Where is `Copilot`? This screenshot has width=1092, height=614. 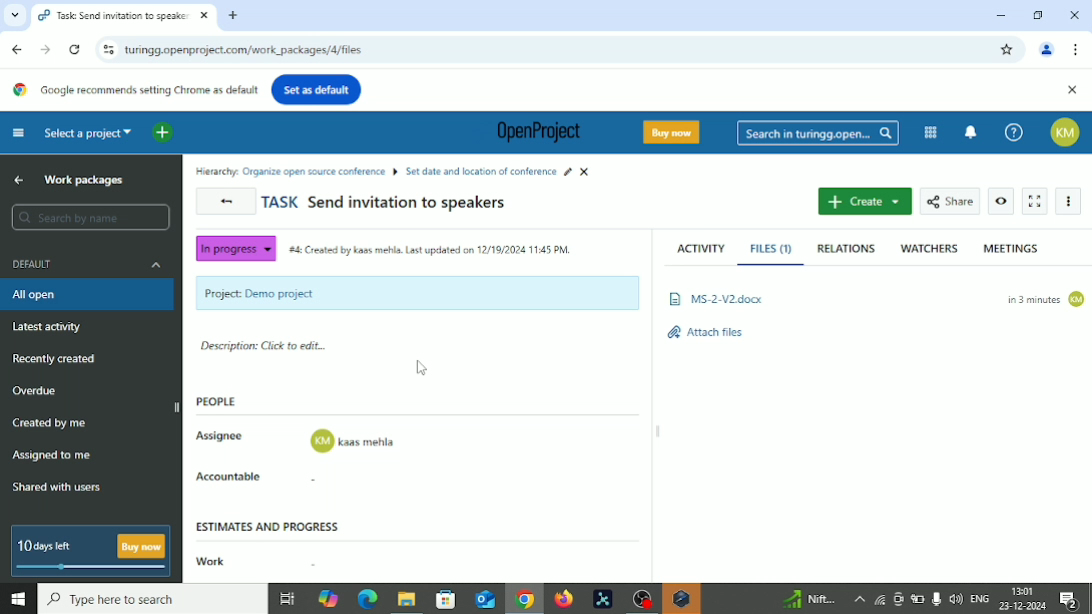
Copilot is located at coordinates (330, 597).